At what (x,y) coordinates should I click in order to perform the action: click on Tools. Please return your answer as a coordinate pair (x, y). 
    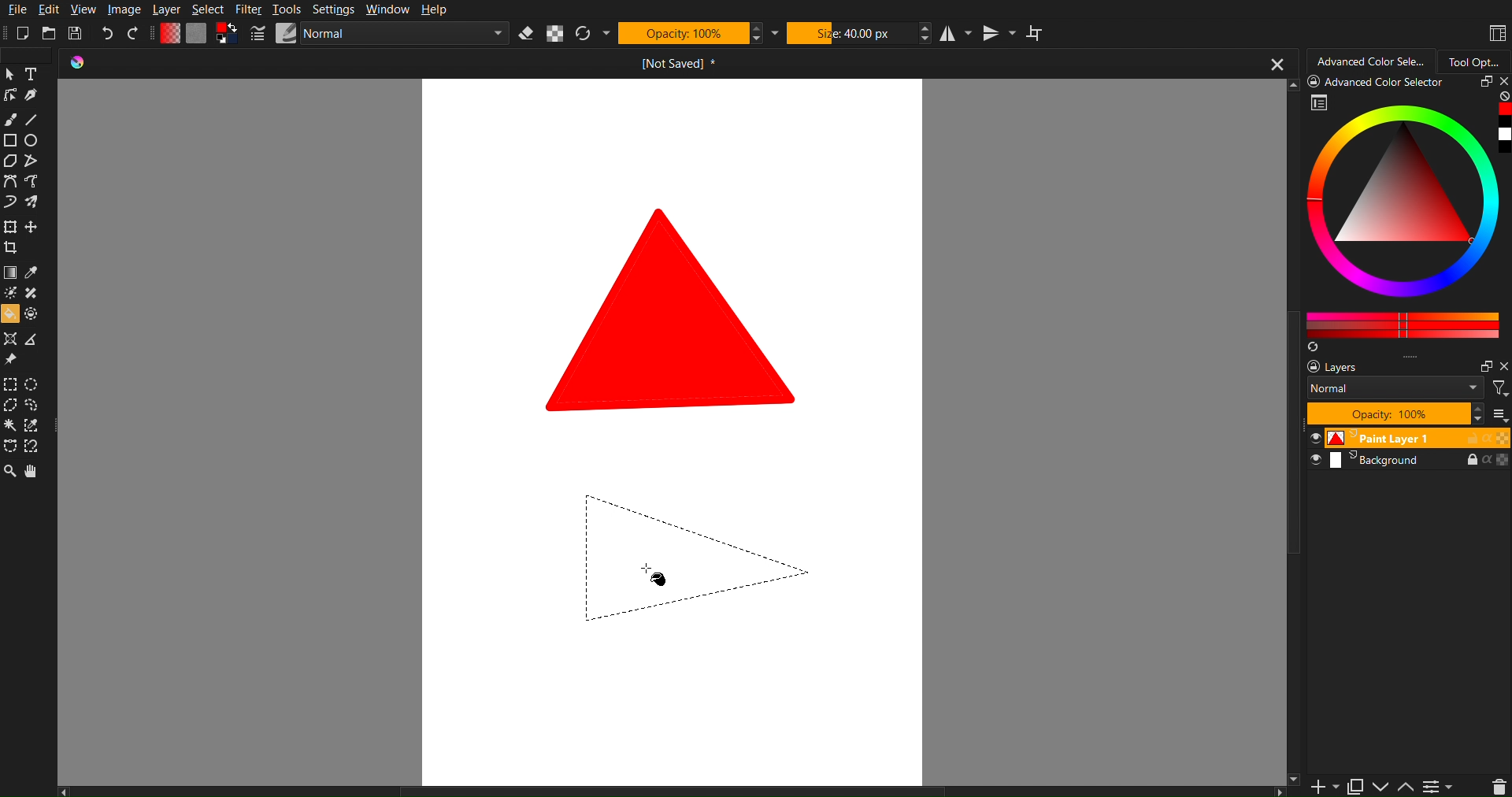
    Looking at the image, I should click on (288, 9).